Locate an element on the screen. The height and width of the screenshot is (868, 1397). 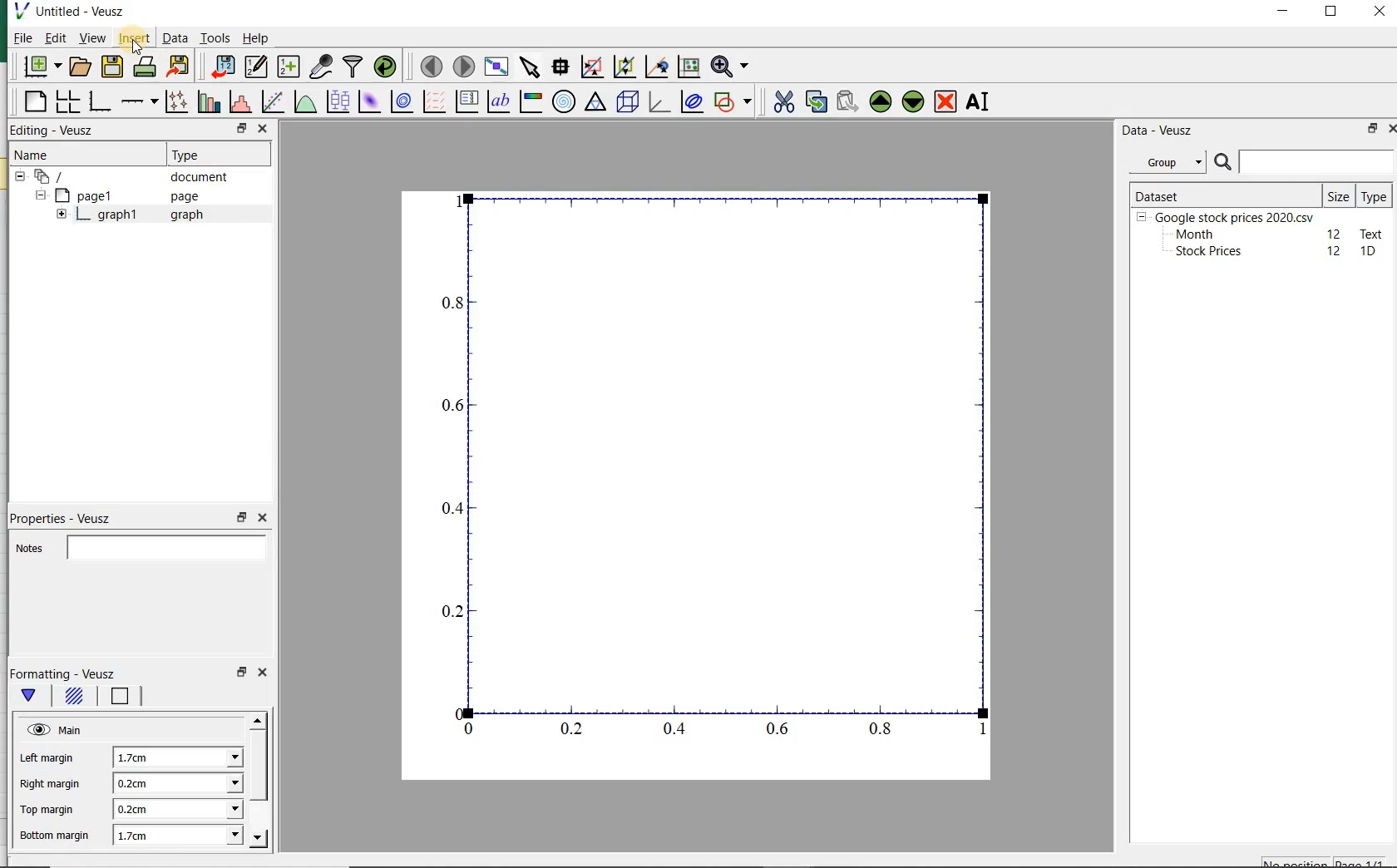
create new datasets is located at coordinates (289, 67).